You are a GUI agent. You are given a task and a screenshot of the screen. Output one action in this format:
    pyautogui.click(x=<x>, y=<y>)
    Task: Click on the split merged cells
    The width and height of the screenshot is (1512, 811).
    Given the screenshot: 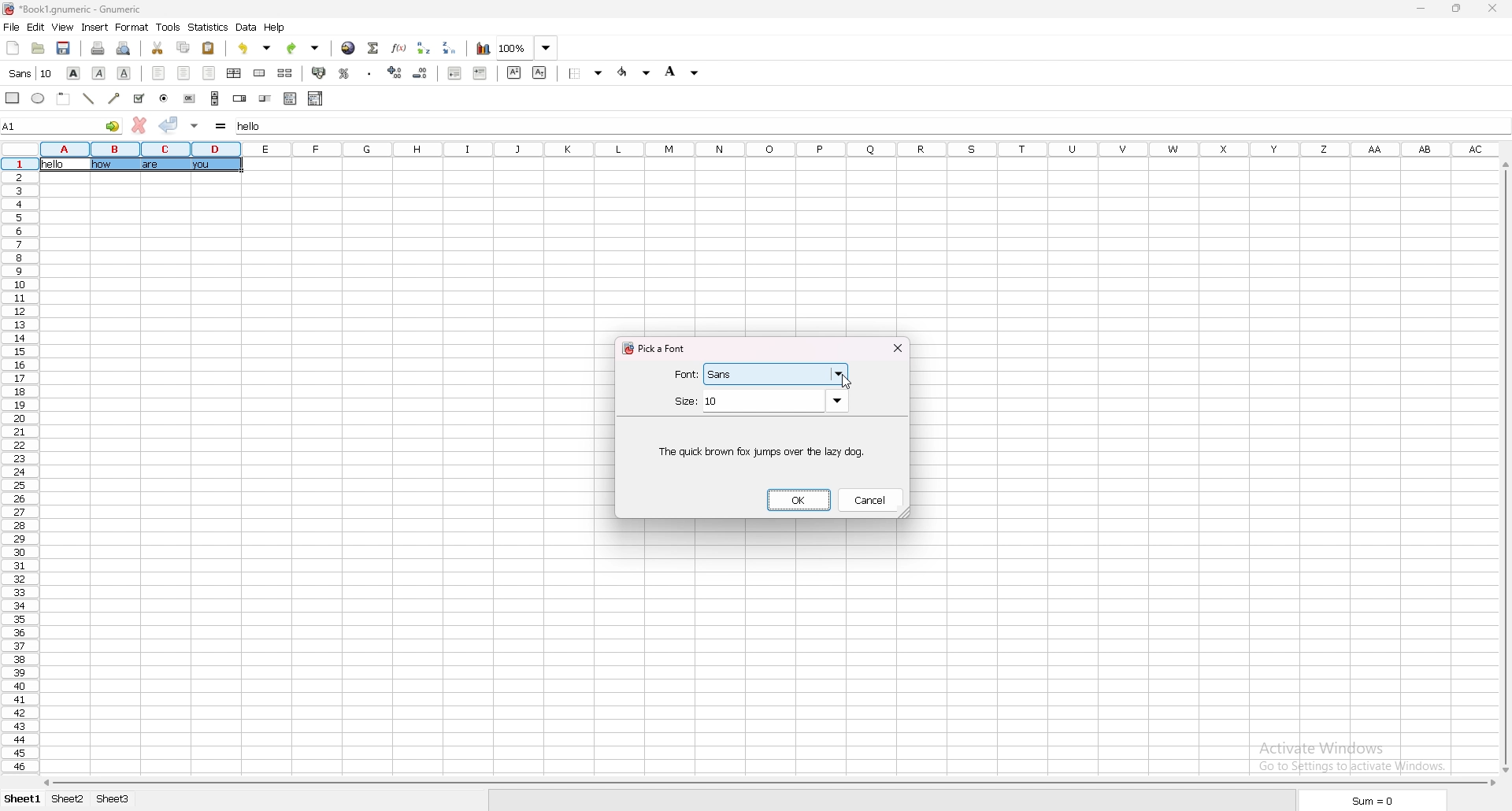 What is the action you would take?
    pyautogui.click(x=285, y=73)
    